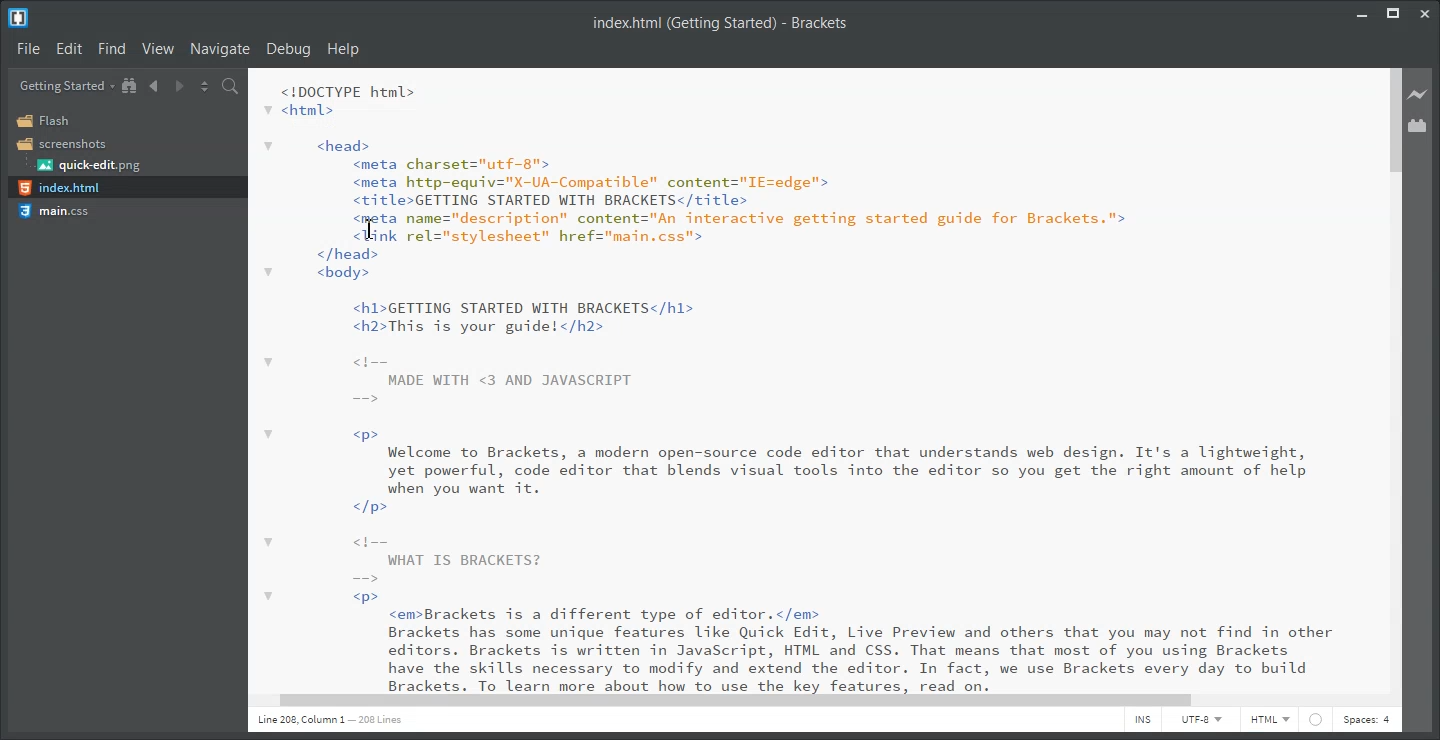 The image size is (1440, 740). What do you see at coordinates (1417, 93) in the screenshot?
I see `Live preview` at bounding box center [1417, 93].